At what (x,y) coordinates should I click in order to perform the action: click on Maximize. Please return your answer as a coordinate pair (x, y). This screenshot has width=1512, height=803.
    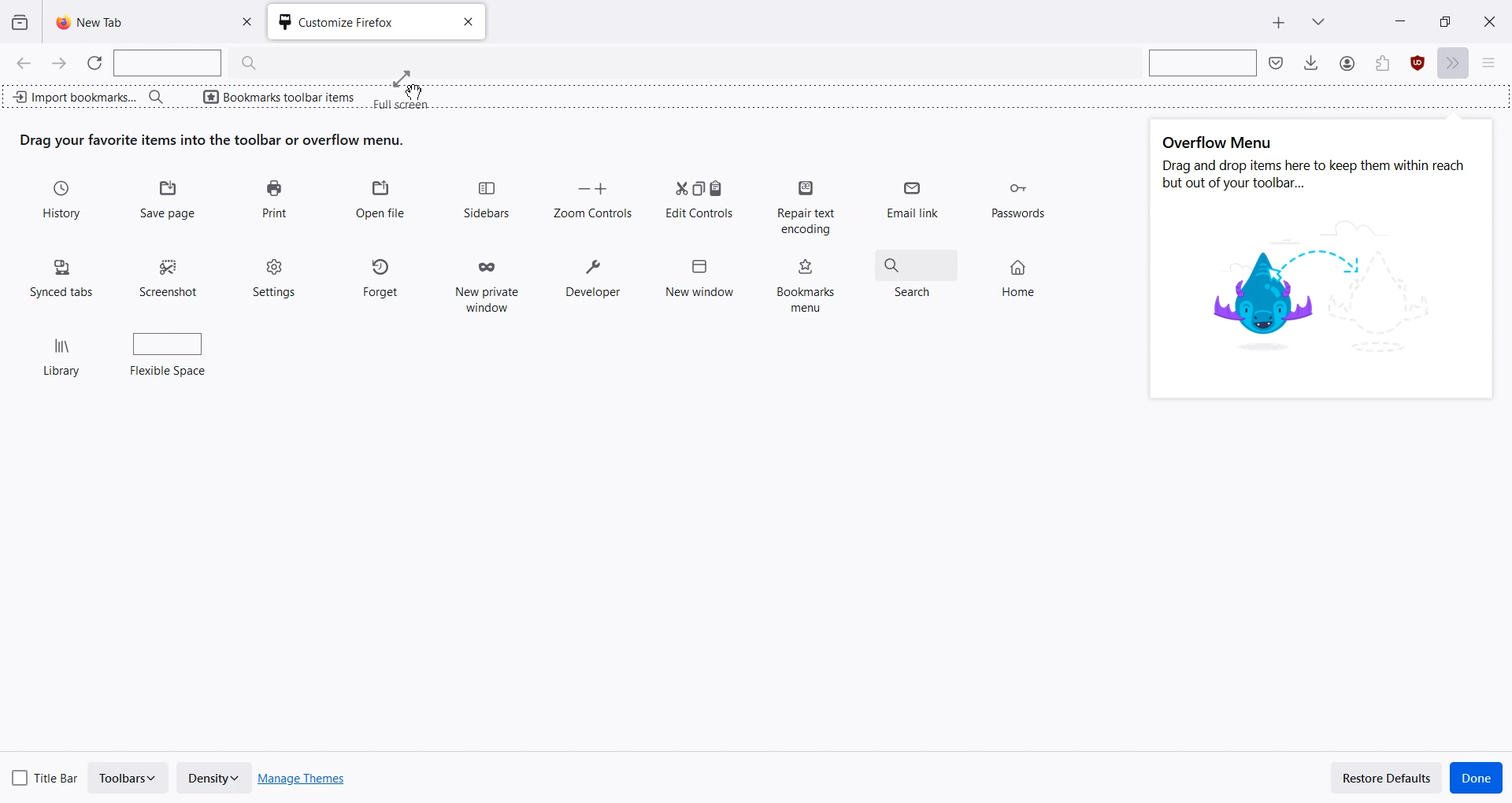
    Looking at the image, I should click on (1444, 20).